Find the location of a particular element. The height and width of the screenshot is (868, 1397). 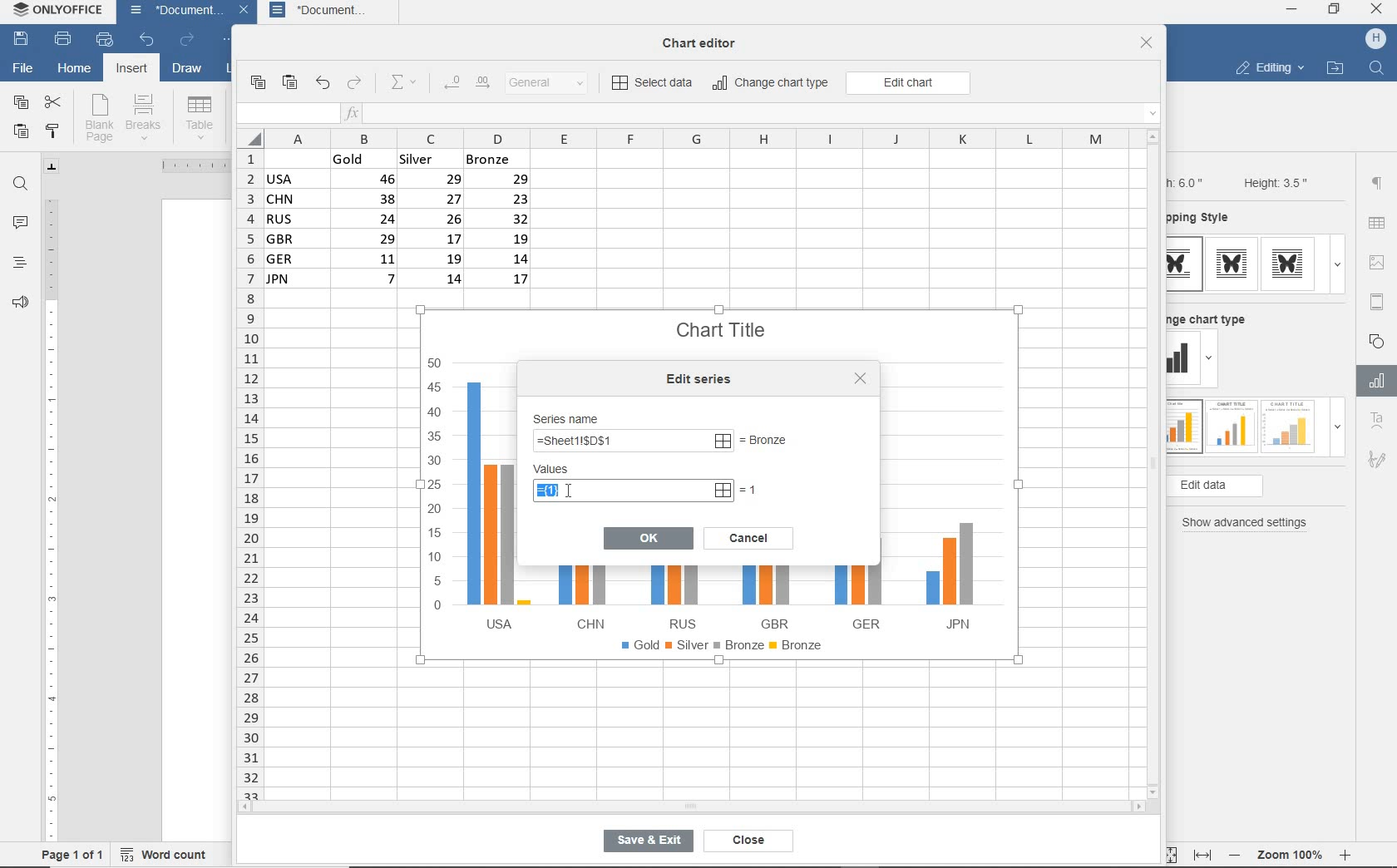

page 1 of 1 is located at coordinates (73, 854).